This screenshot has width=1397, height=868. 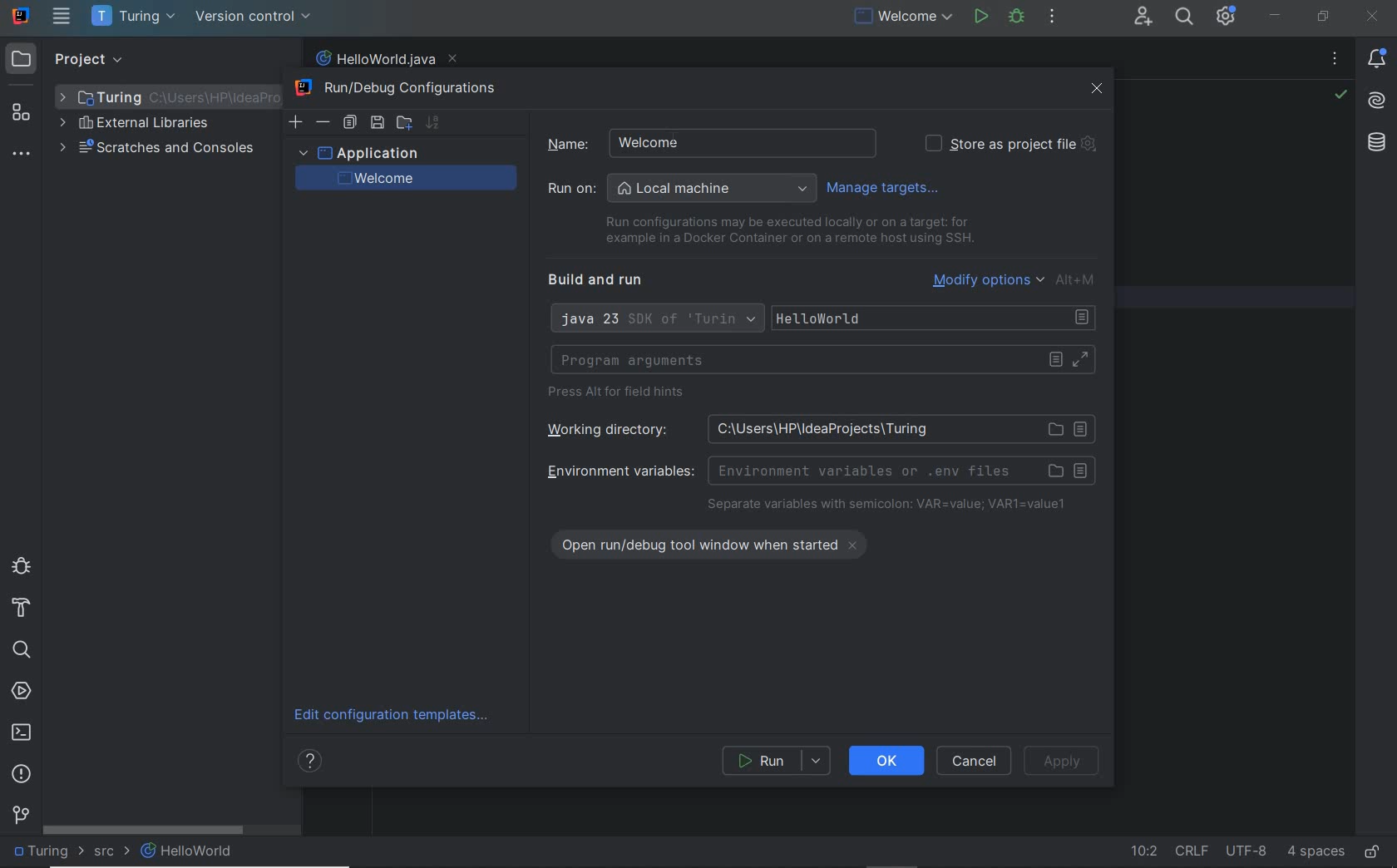 What do you see at coordinates (157, 150) in the screenshot?
I see `scratches and consoles` at bounding box center [157, 150].